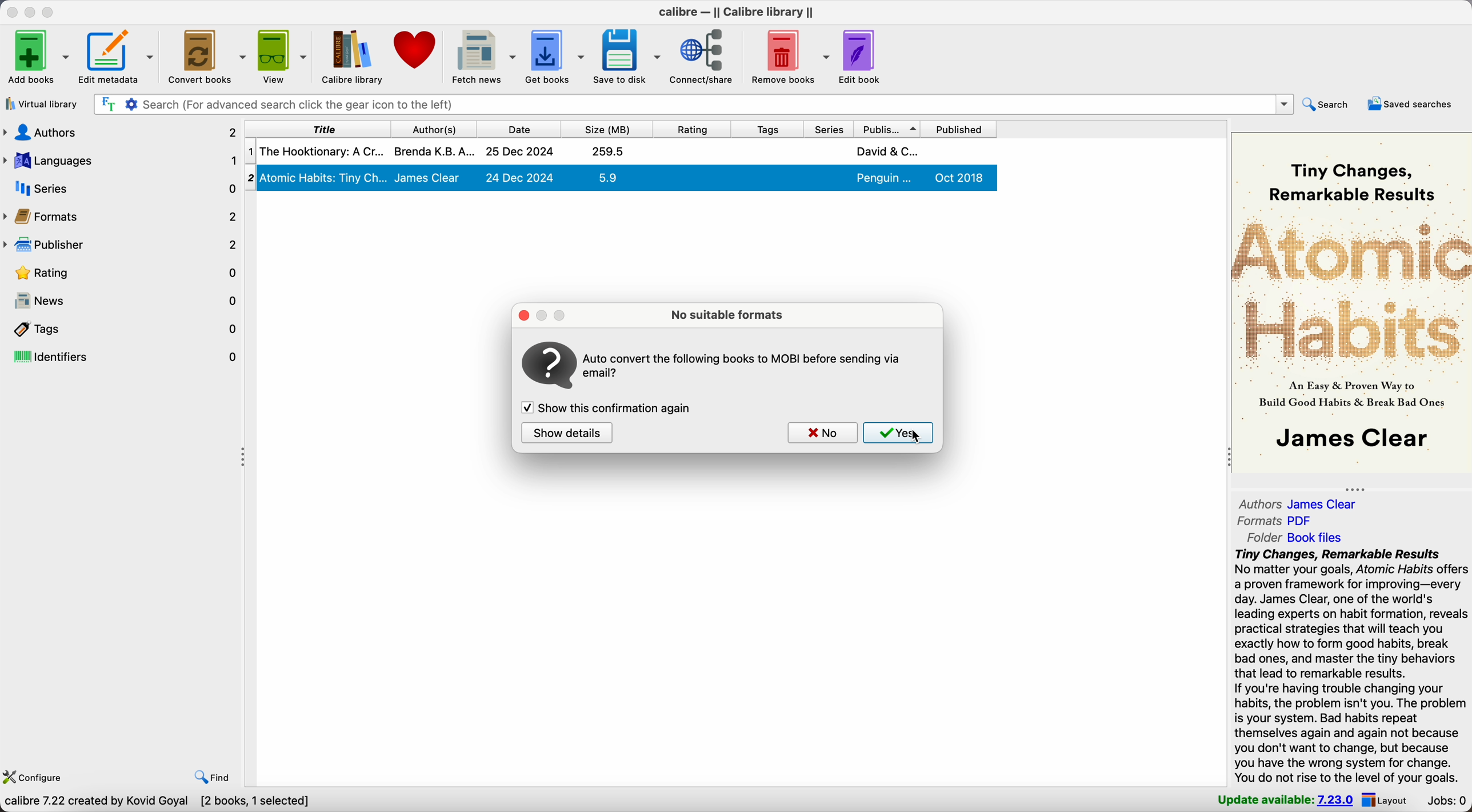 The image size is (1472, 812). What do you see at coordinates (542, 316) in the screenshot?
I see `minimize popup` at bounding box center [542, 316].